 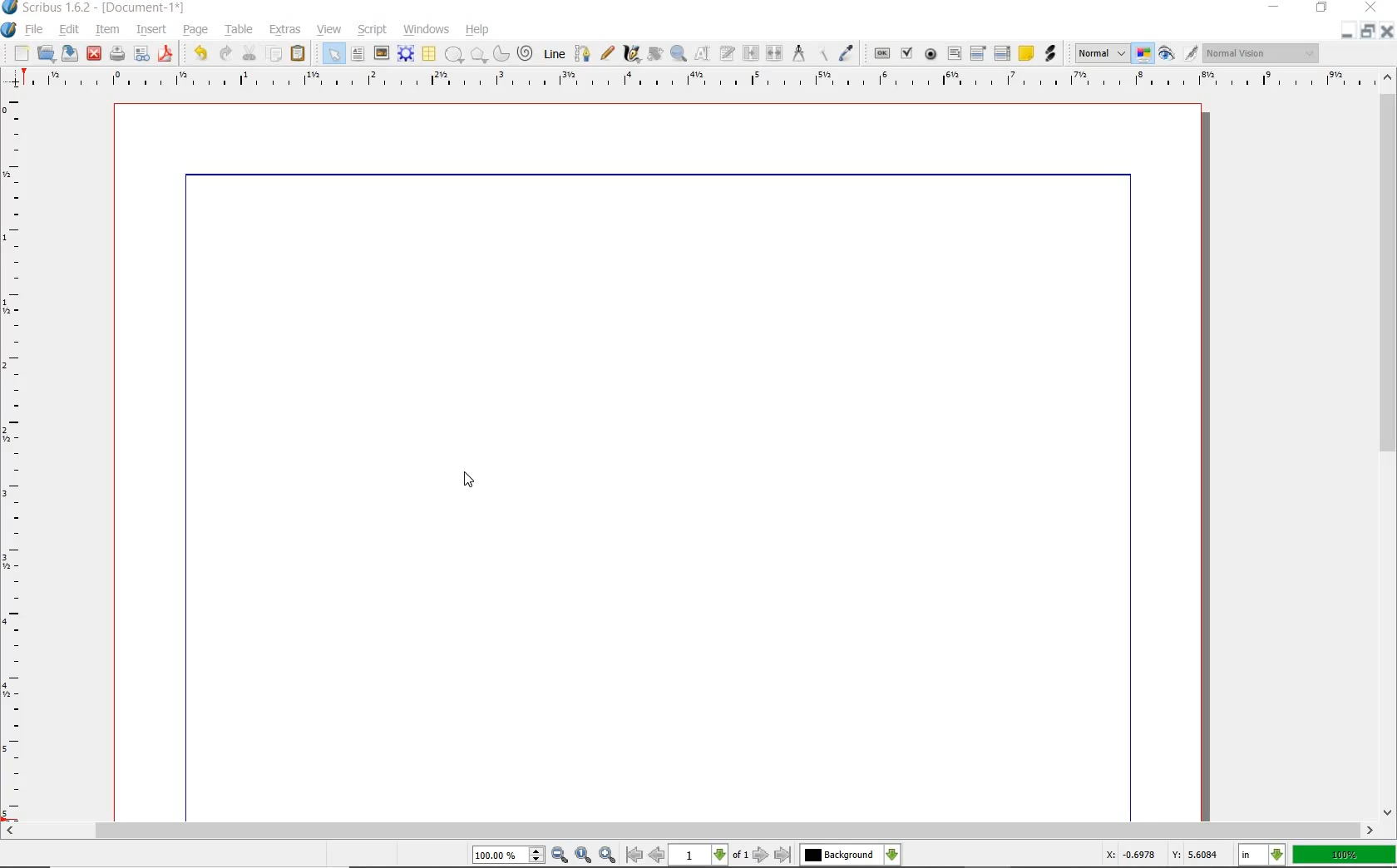 What do you see at coordinates (200, 53) in the screenshot?
I see `UNDO` at bounding box center [200, 53].